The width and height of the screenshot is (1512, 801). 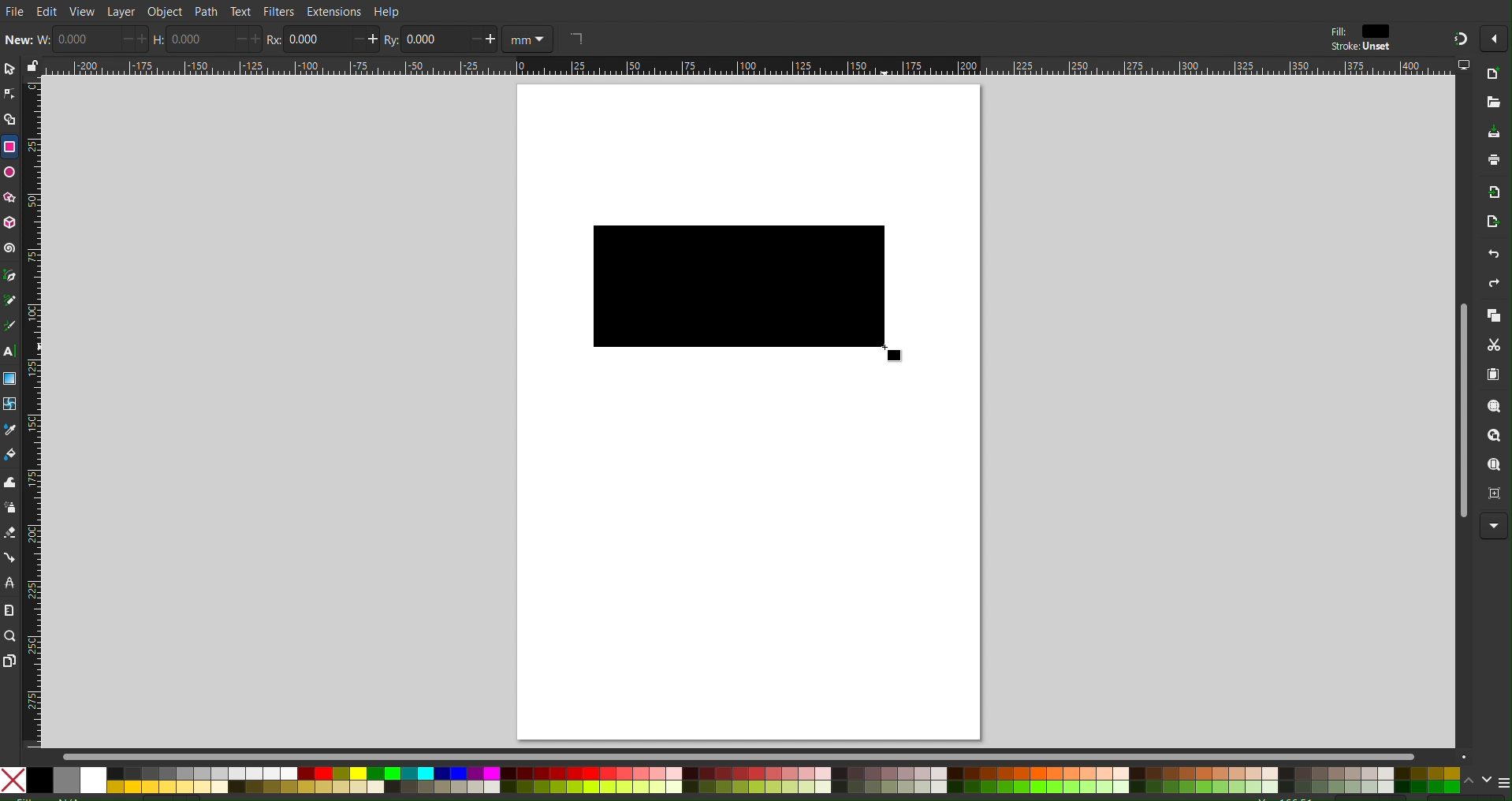 What do you see at coordinates (9, 224) in the screenshot?
I see `3D Box Tool` at bounding box center [9, 224].